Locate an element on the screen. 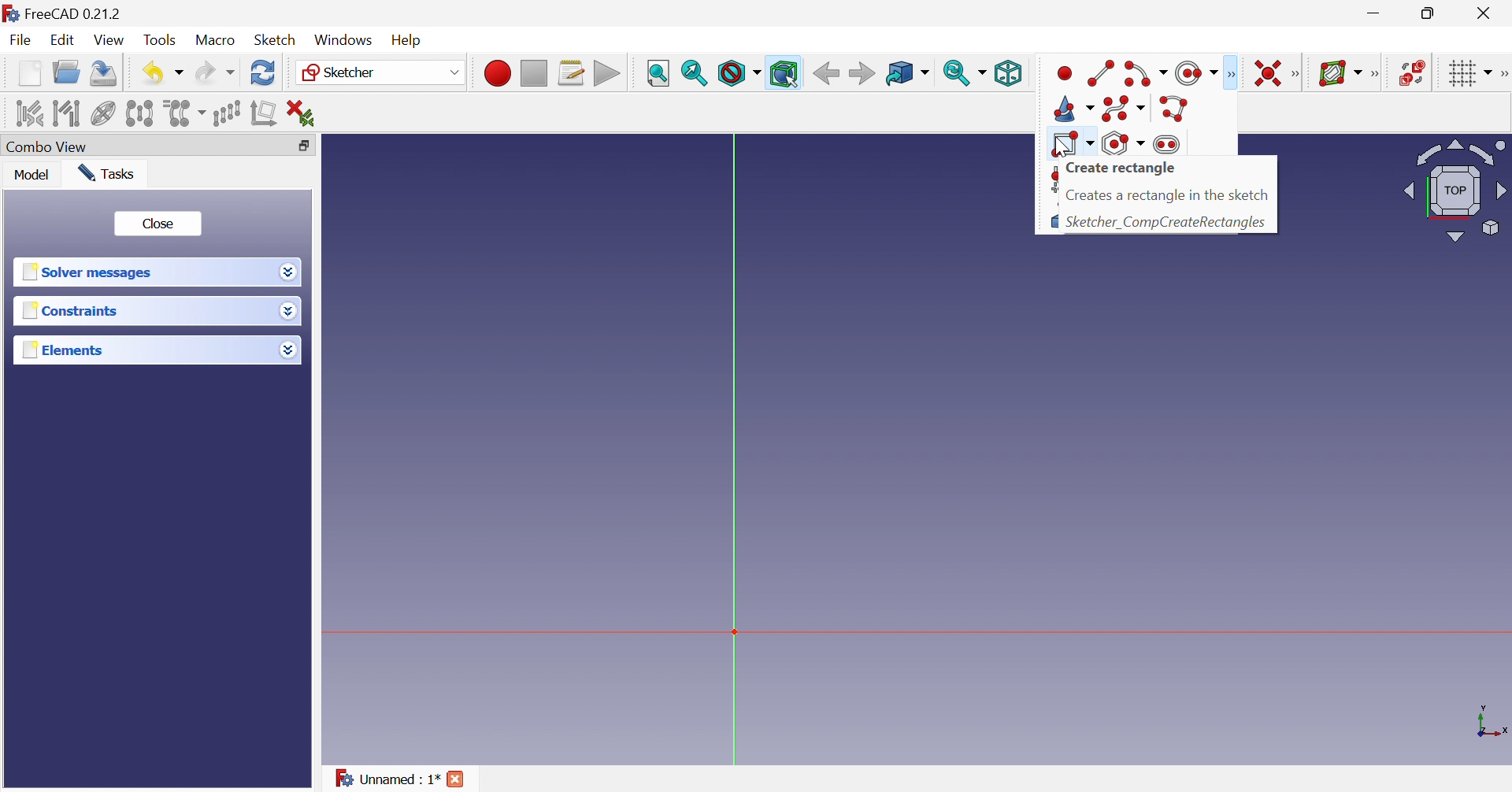 The height and width of the screenshot is (792, 1512). Open is located at coordinates (67, 72).